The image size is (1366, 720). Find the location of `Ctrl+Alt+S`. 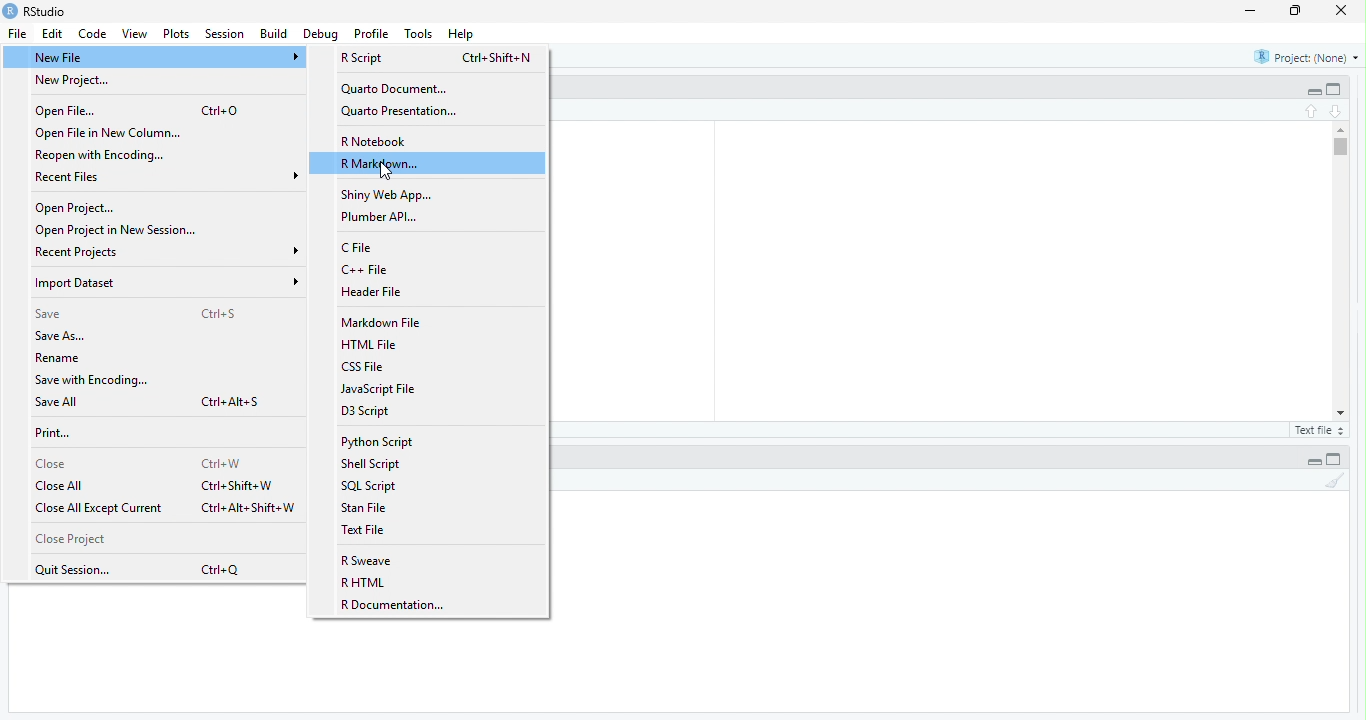

Ctrl+Alt+S is located at coordinates (233, 402).